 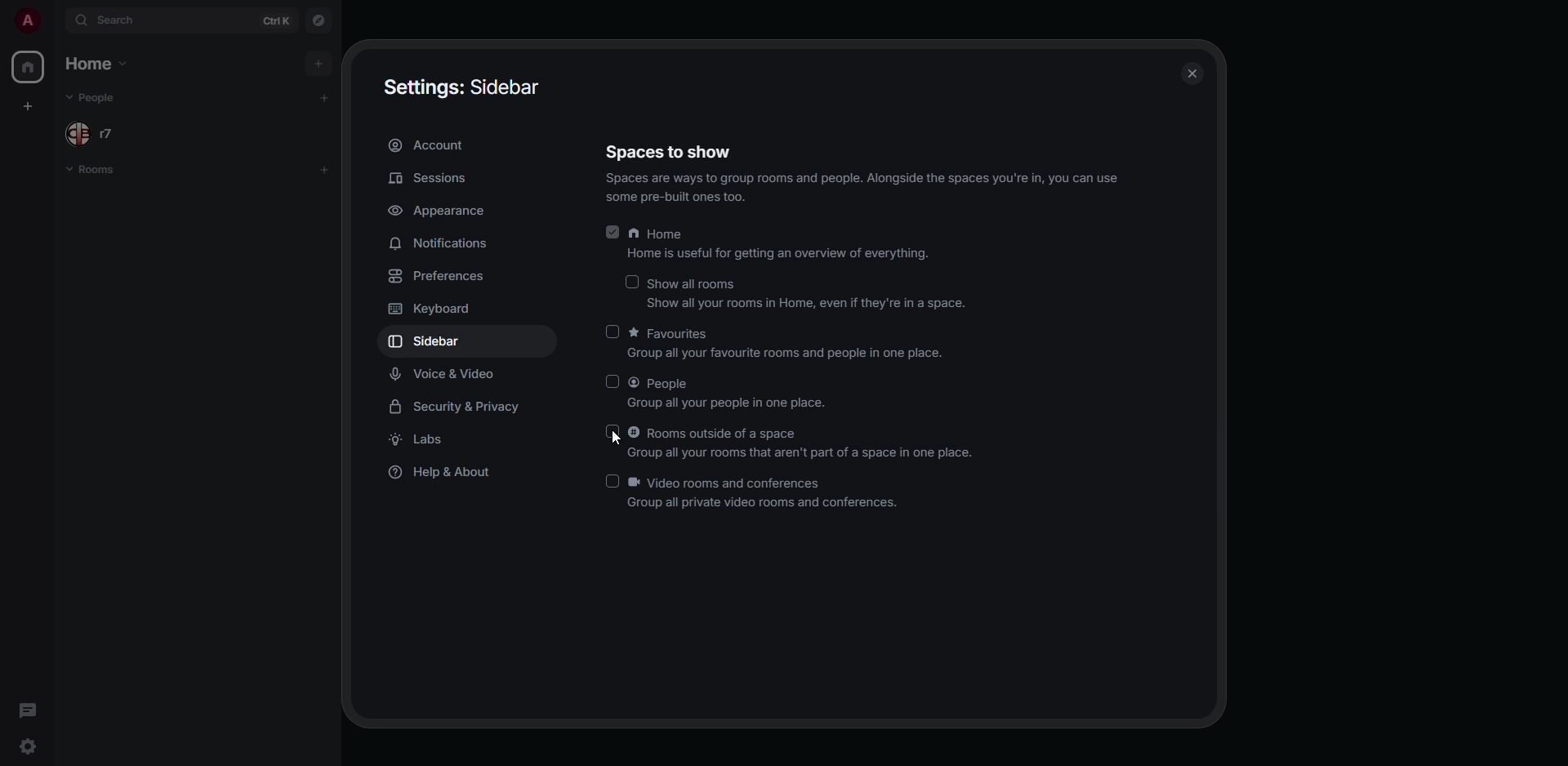 What do you see at coordinates (328, 97) in the screenshot?
I see `add` at bounding box center [328, 97].